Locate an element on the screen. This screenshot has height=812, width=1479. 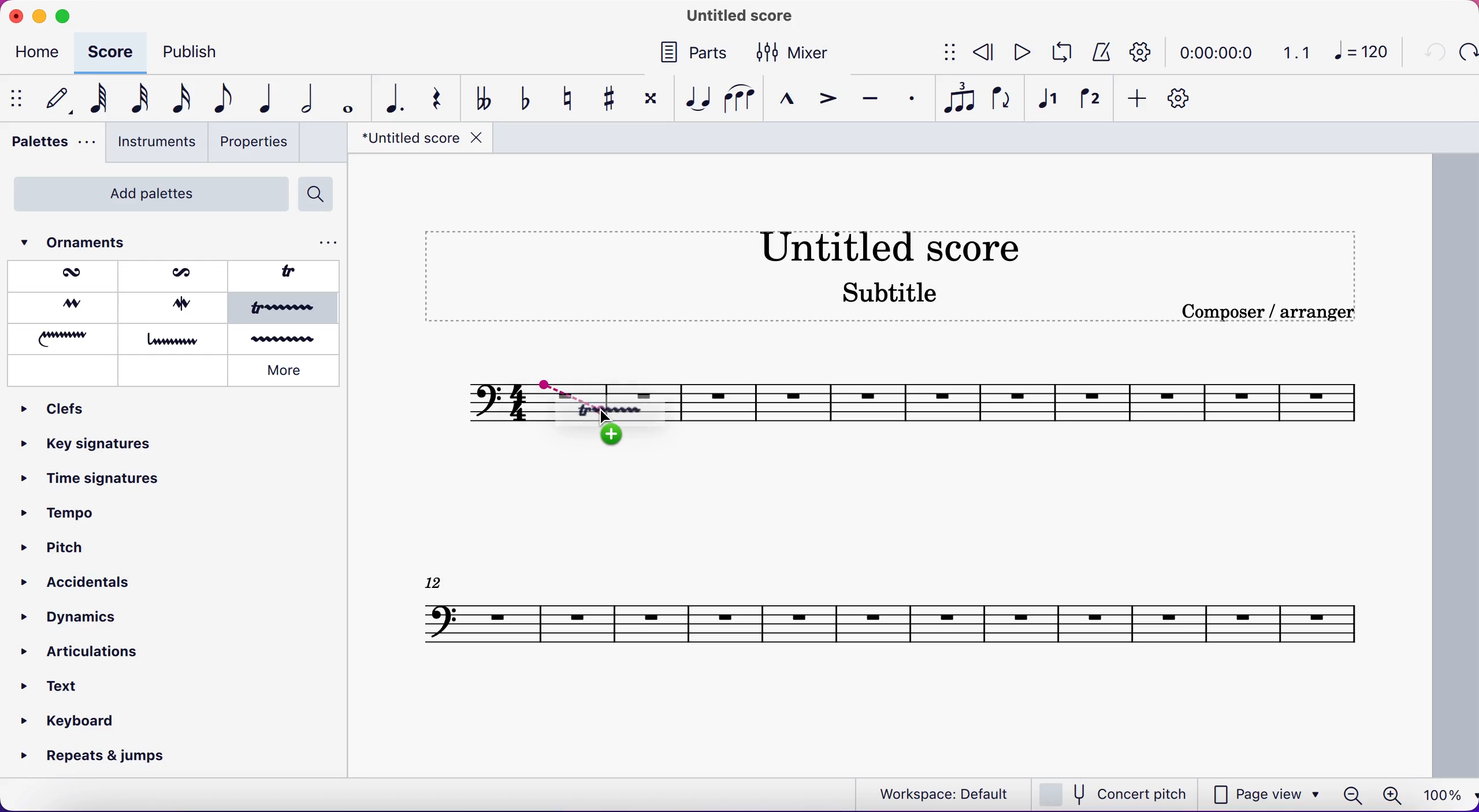
32nd note is located at coordinates (134, 99).